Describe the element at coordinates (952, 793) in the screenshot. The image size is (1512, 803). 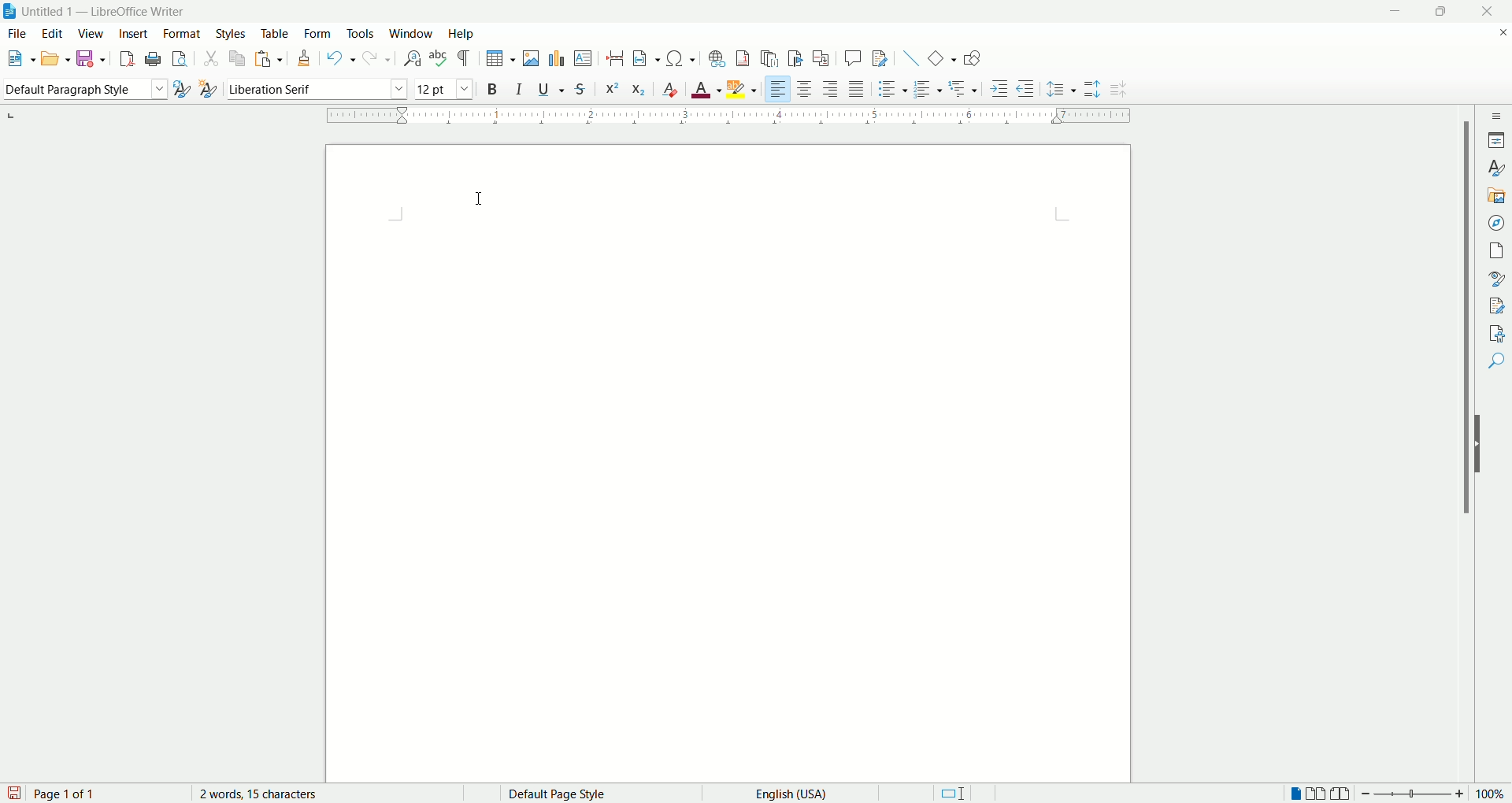
I see `standard selection` at that location.